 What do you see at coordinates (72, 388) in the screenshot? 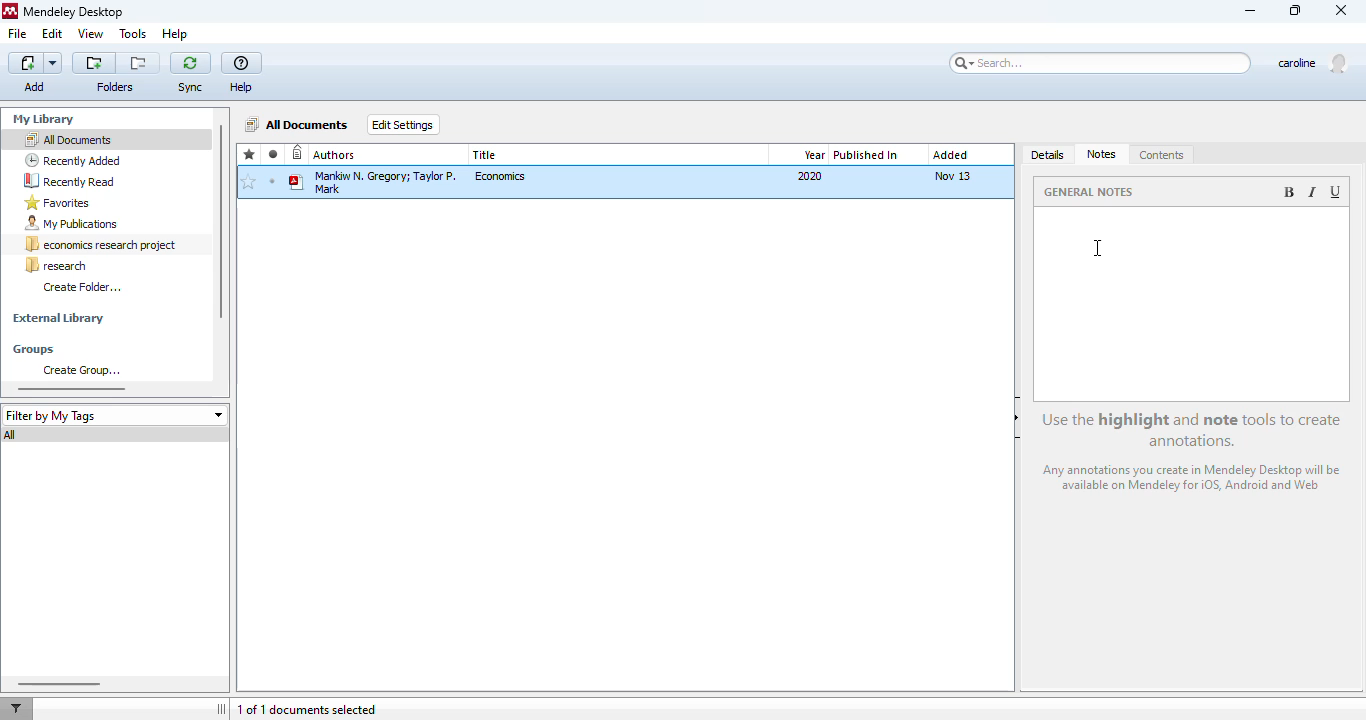
I see `horizontal scroll bar` at bounding box center [72, 388].